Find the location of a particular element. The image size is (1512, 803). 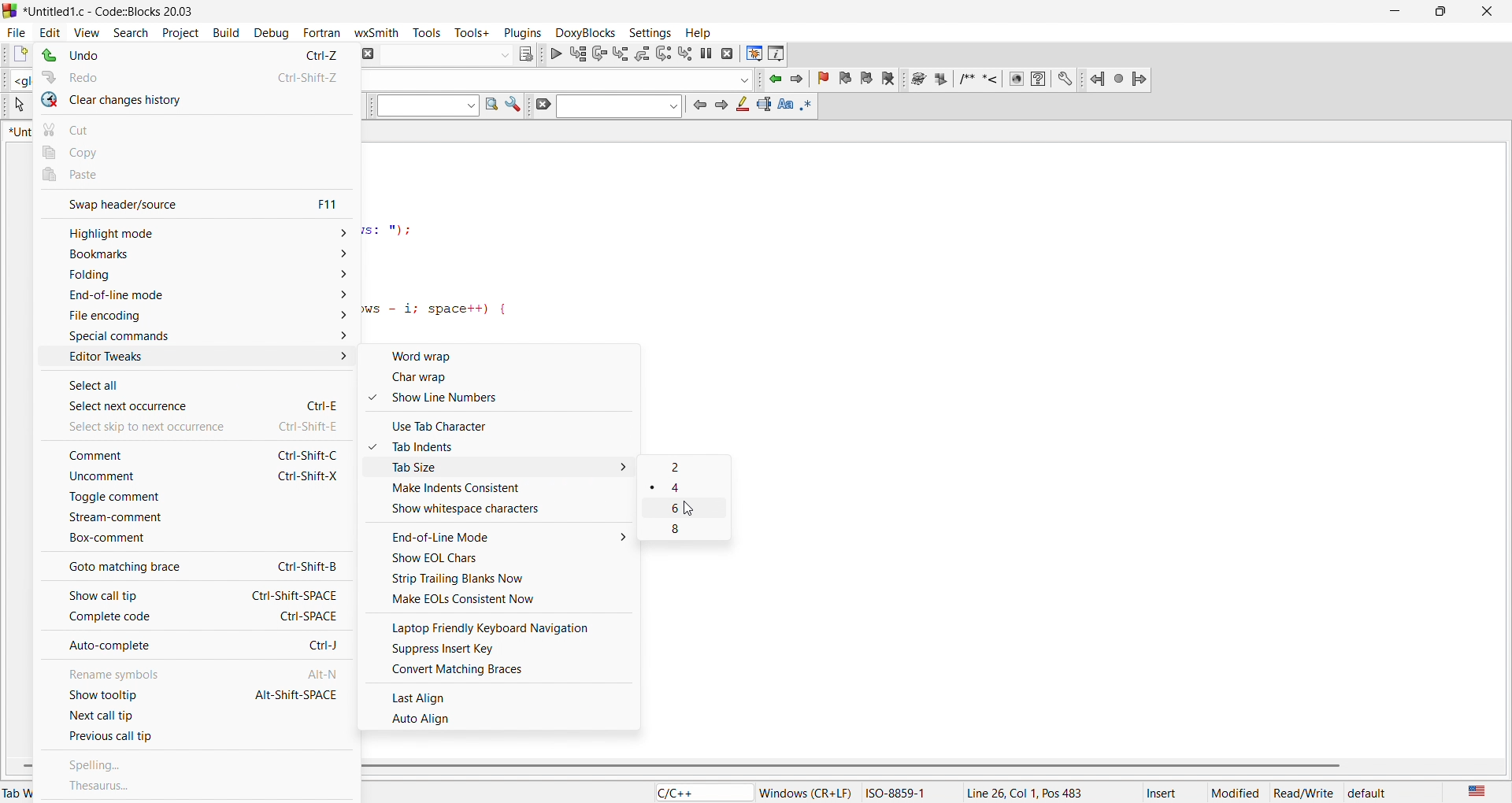

2 space is located at coordinates (691, 486).